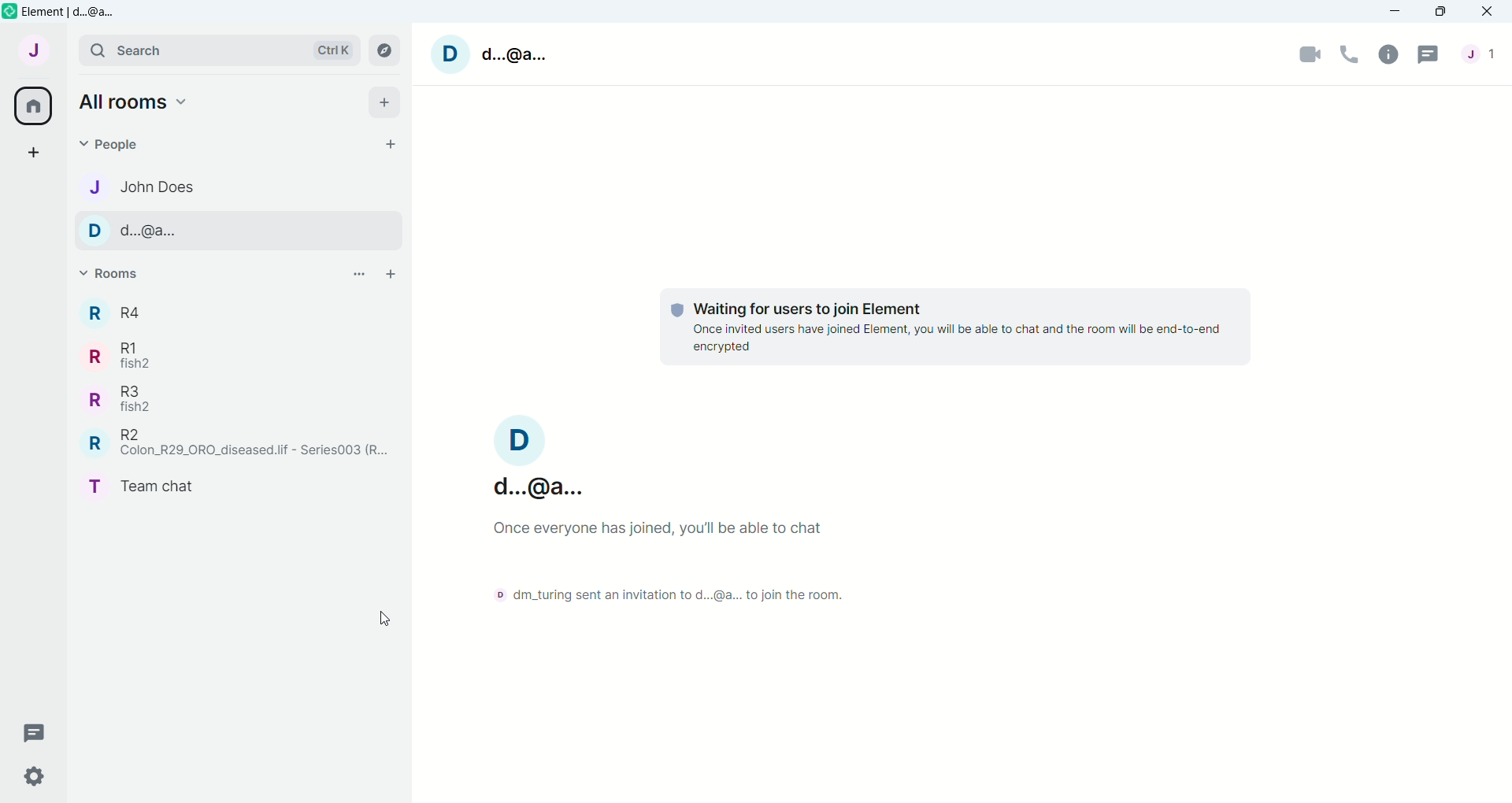  Describe the element at coordinates (543, 487) in the screenshot. I see `d...@a...` at that location.